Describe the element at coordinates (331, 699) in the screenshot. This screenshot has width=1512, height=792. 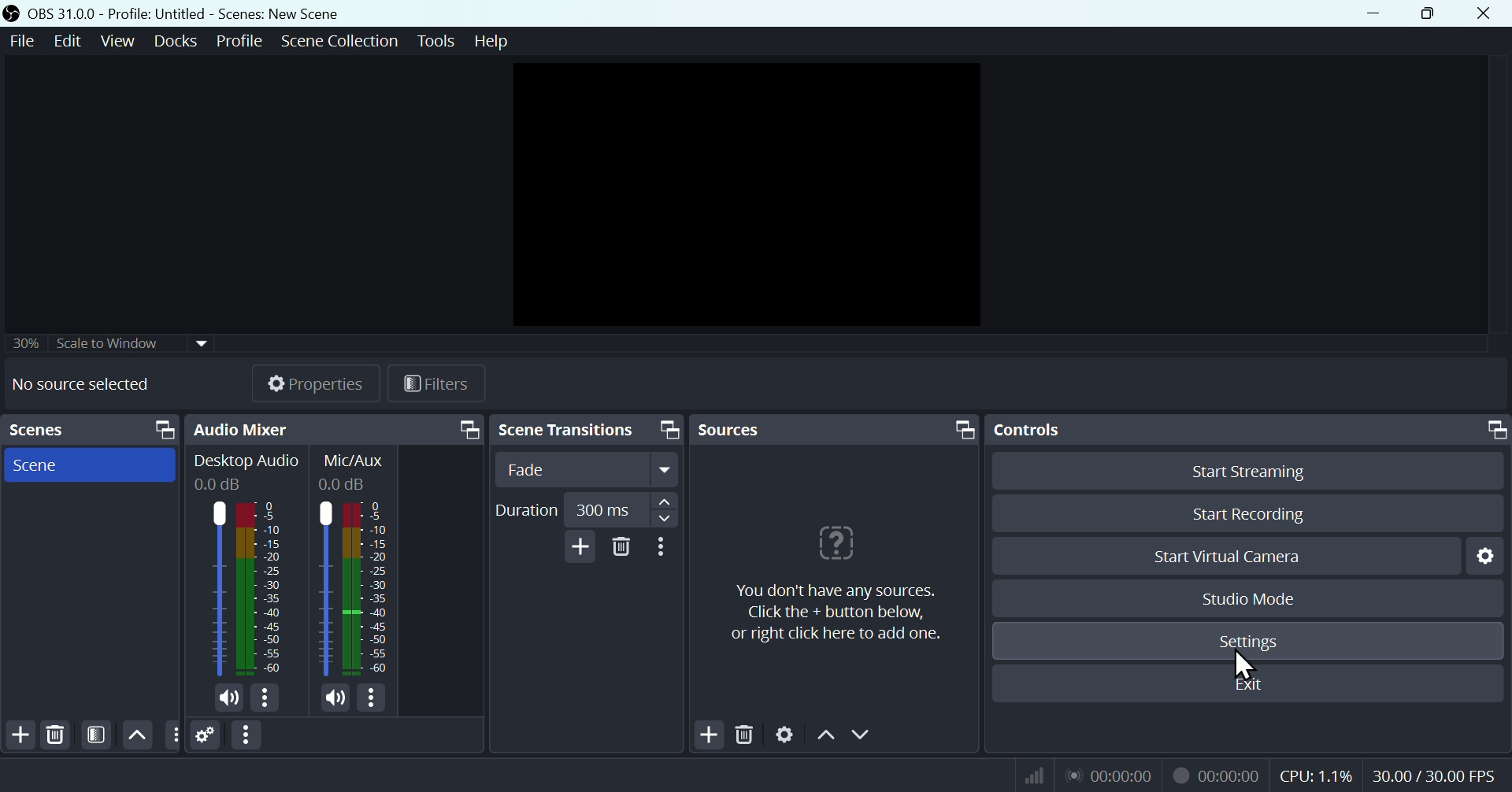
I see `volume` at that location.